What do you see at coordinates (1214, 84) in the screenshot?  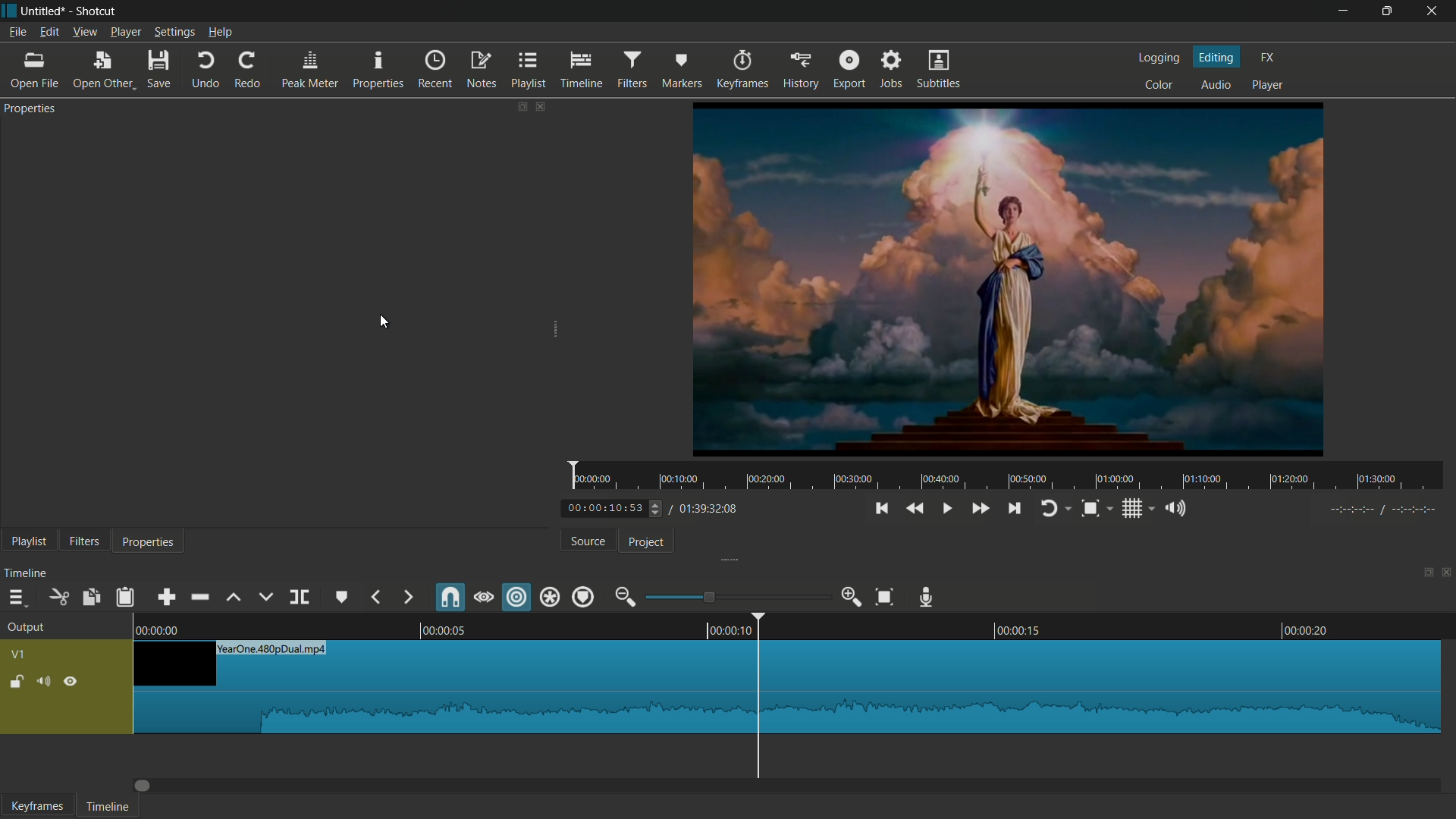 I see `audio` at bounding box center [1214, 84].